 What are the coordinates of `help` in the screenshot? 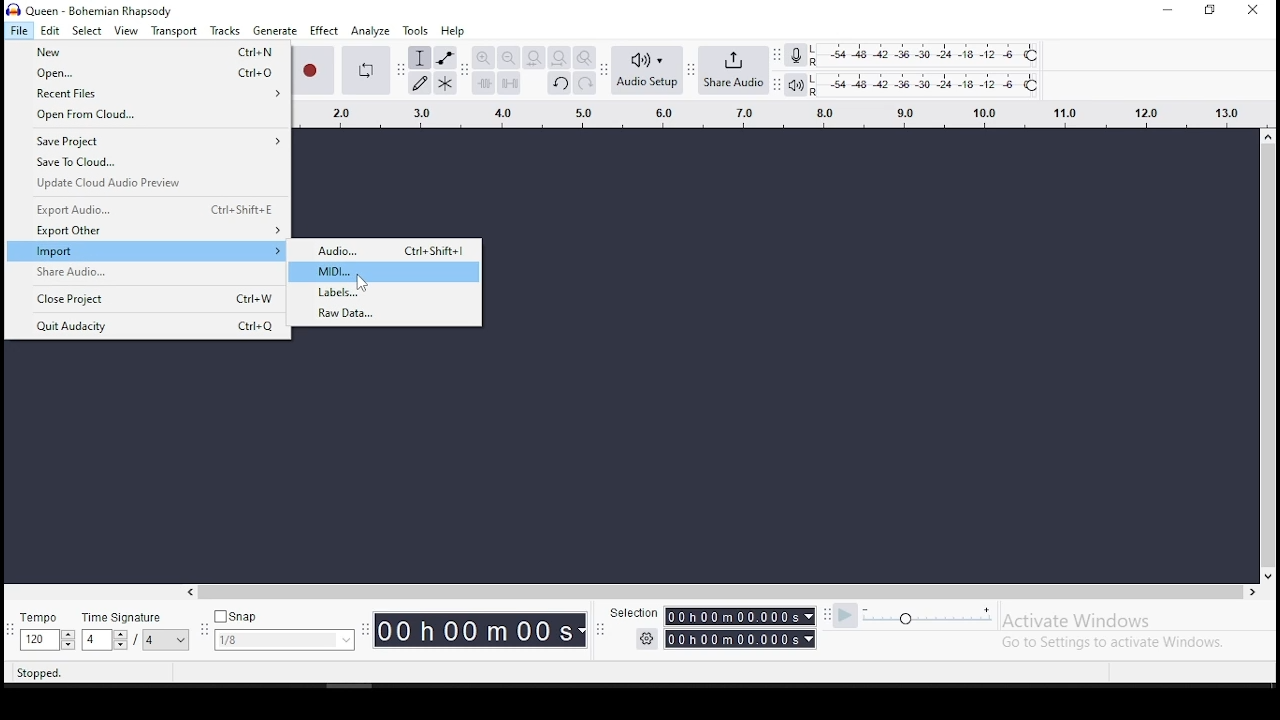 It's located at (451, 31).